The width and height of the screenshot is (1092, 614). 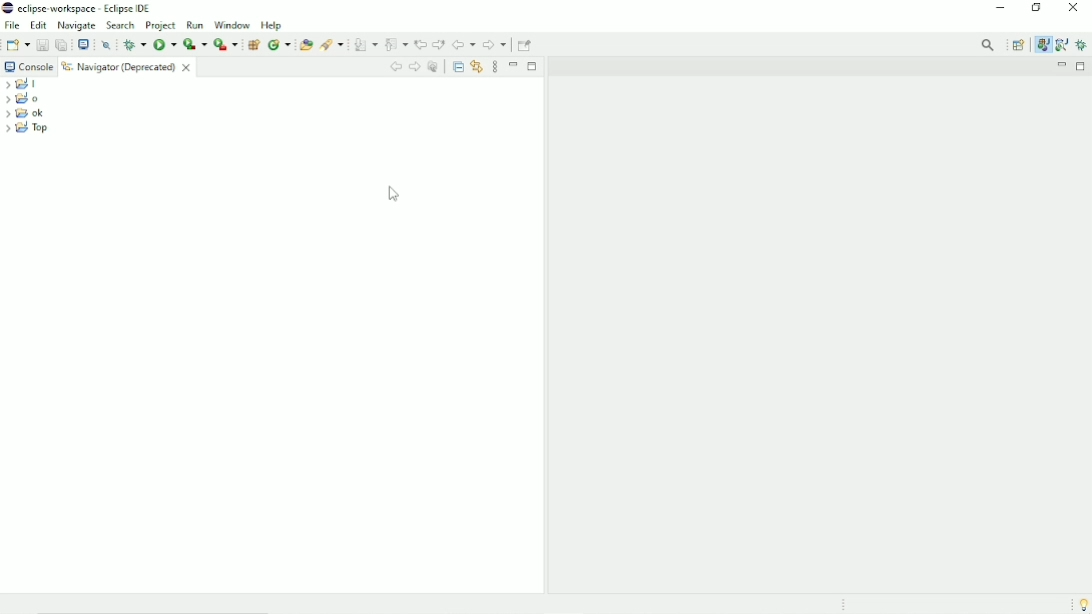 I want to click on I, so click(x=23, y=84).